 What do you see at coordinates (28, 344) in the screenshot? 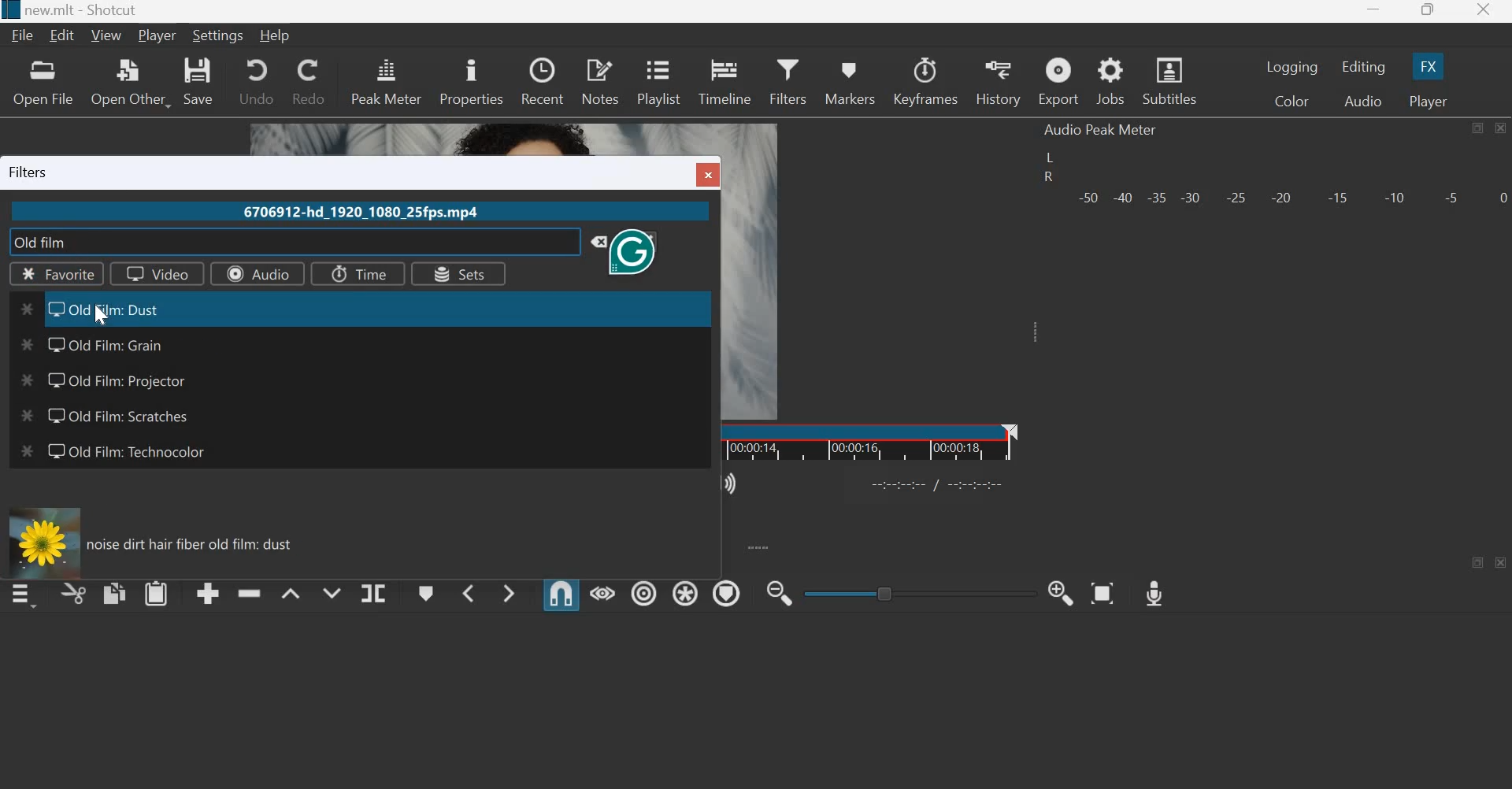
I see `` at bounding box center [28, 344].